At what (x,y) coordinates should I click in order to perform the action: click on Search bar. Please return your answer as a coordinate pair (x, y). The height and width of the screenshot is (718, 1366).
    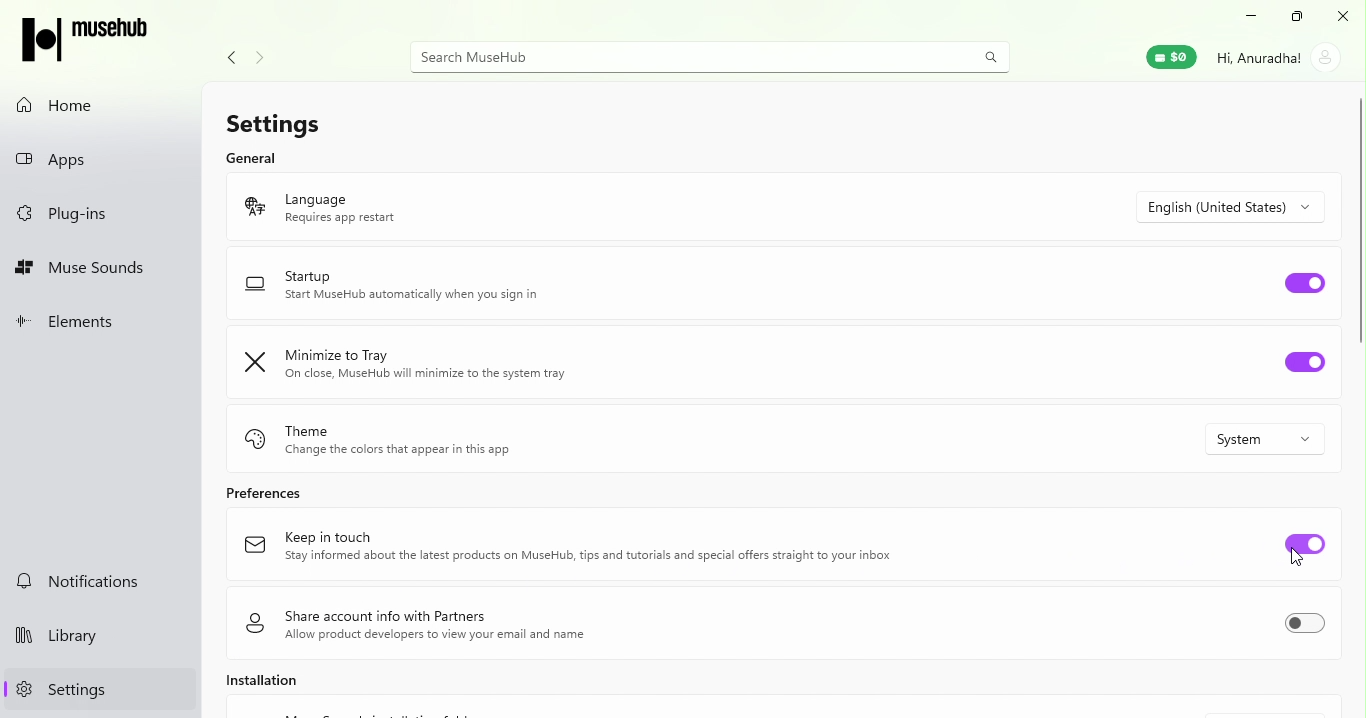
    Looking at the image, I should click on (686, 55).